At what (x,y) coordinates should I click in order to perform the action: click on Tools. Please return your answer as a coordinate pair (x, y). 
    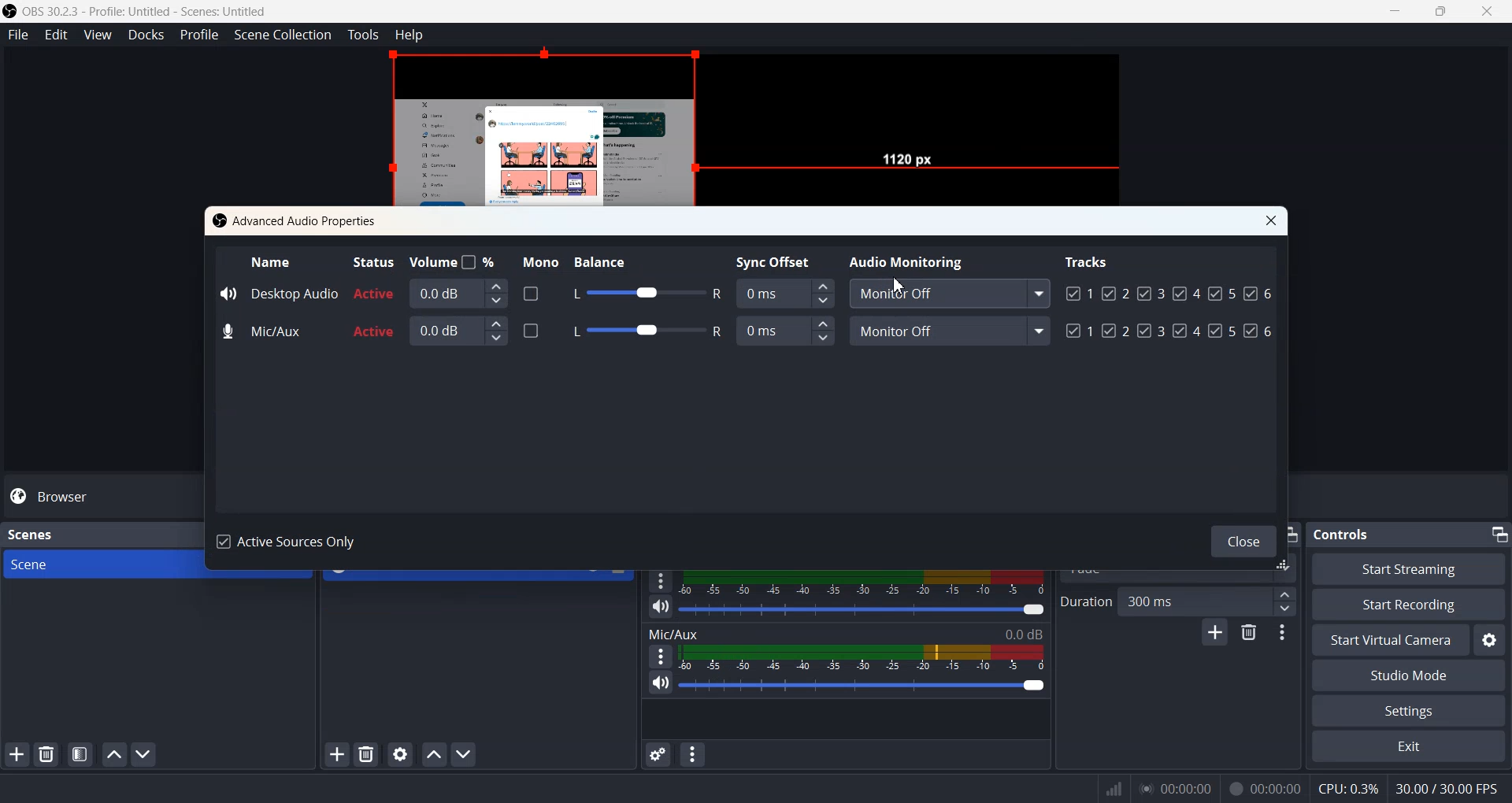
    Looking at the image, I should click on (364, 35).